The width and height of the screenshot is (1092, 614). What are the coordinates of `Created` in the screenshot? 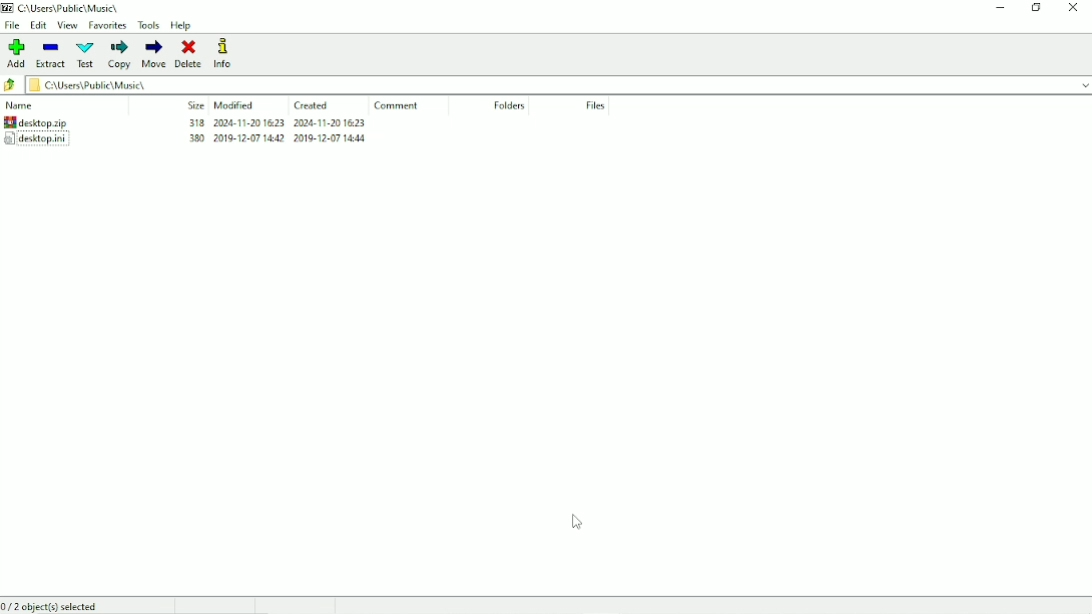 It's located at (314, 105).